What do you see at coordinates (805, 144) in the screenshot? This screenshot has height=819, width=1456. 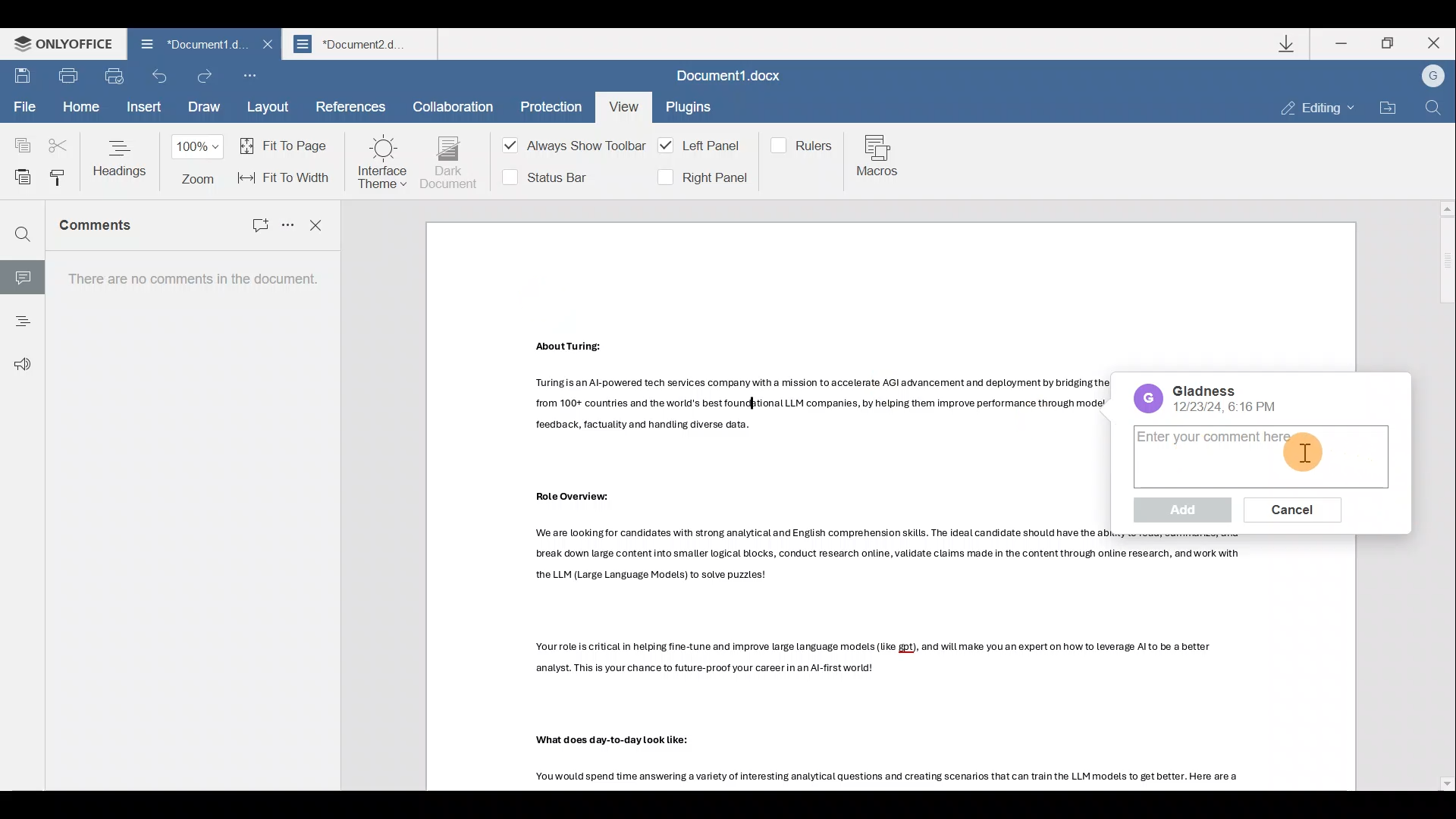 I see `Rulers` at bounding box center [805, 144].